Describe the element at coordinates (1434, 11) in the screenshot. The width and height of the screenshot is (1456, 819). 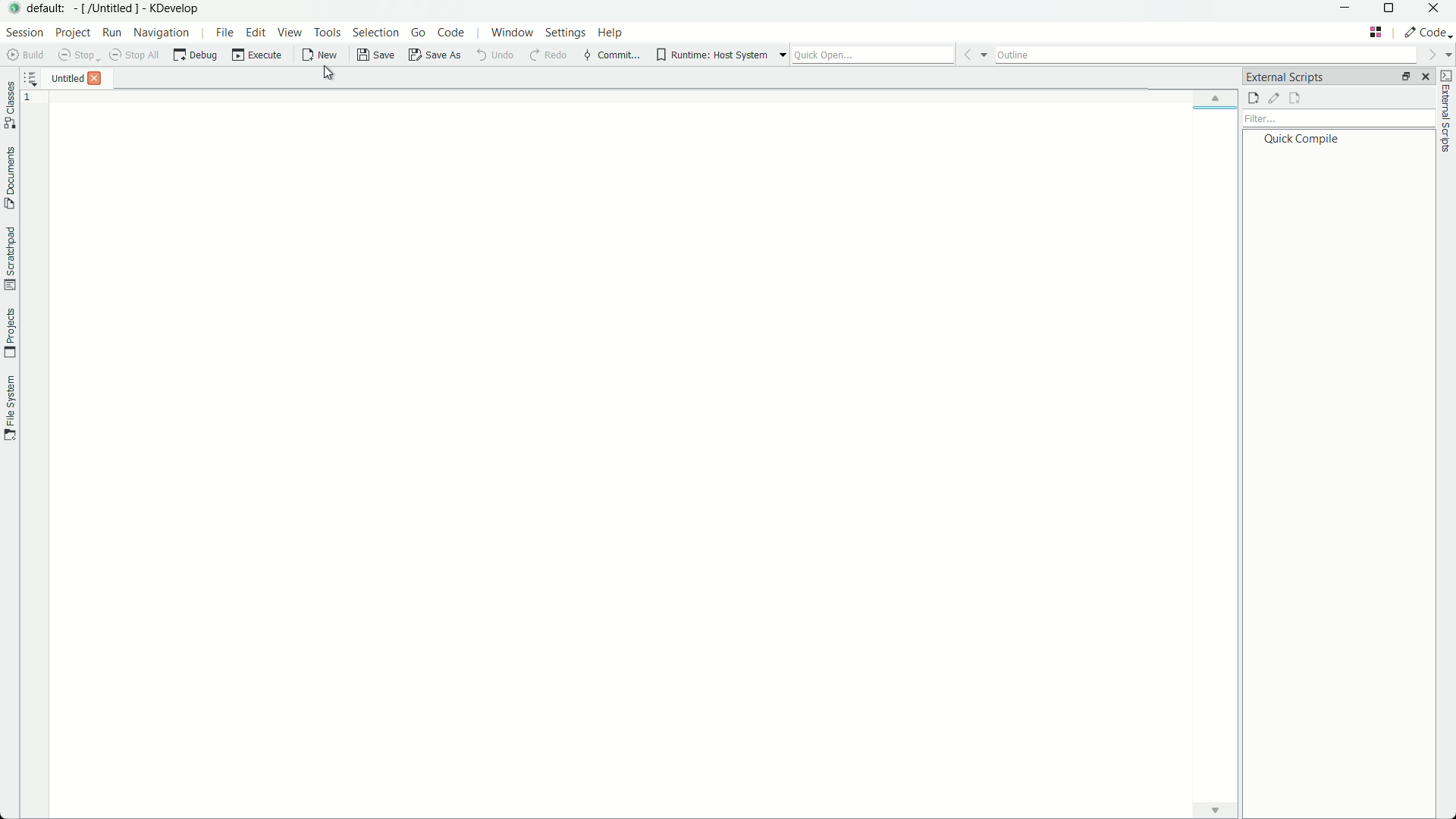
I see `close app` at that location.